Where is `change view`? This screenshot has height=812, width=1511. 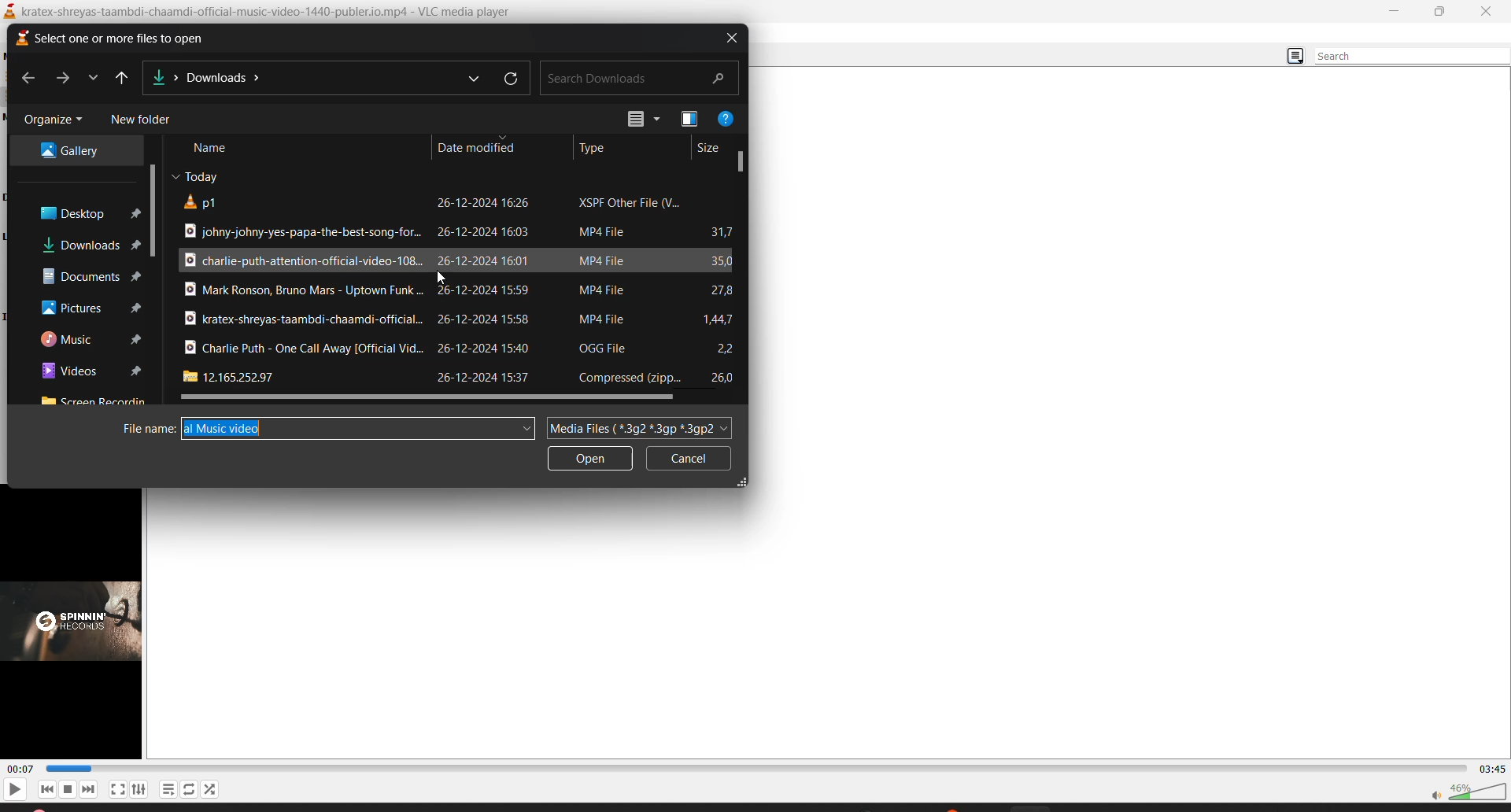
change view is located at coordinates (643, 119).